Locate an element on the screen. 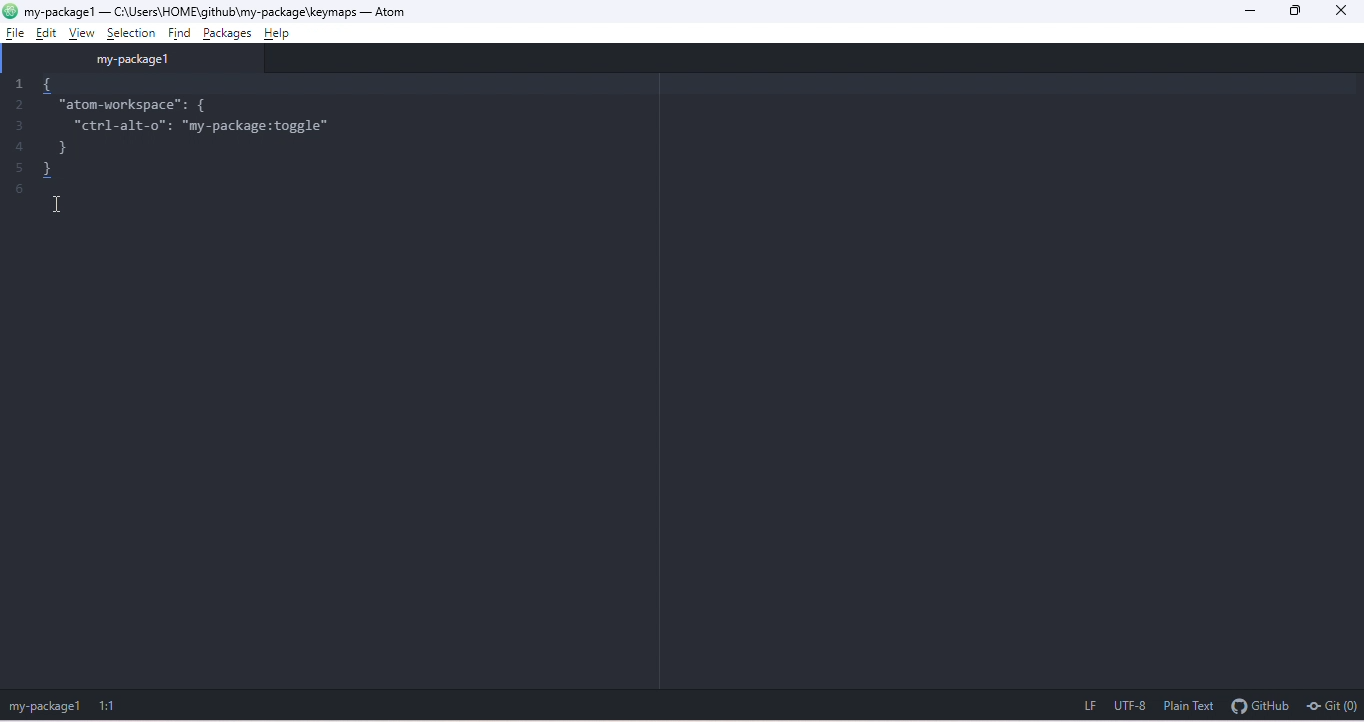 The height and width of the screenshot is (722, 1364). help is located at coordinates (282, 31).